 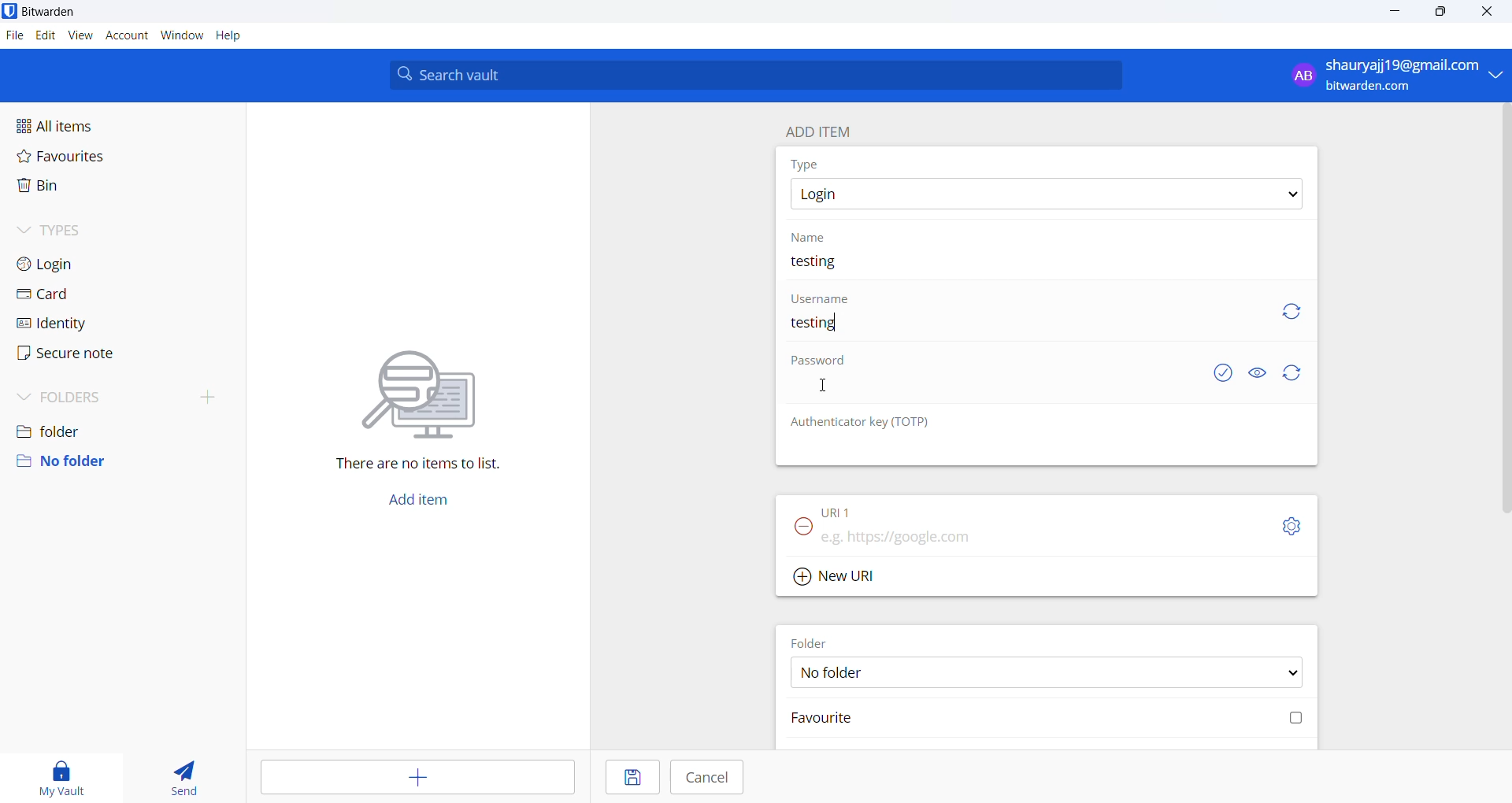 I want to click on add entry, so click(x=414, y=775).